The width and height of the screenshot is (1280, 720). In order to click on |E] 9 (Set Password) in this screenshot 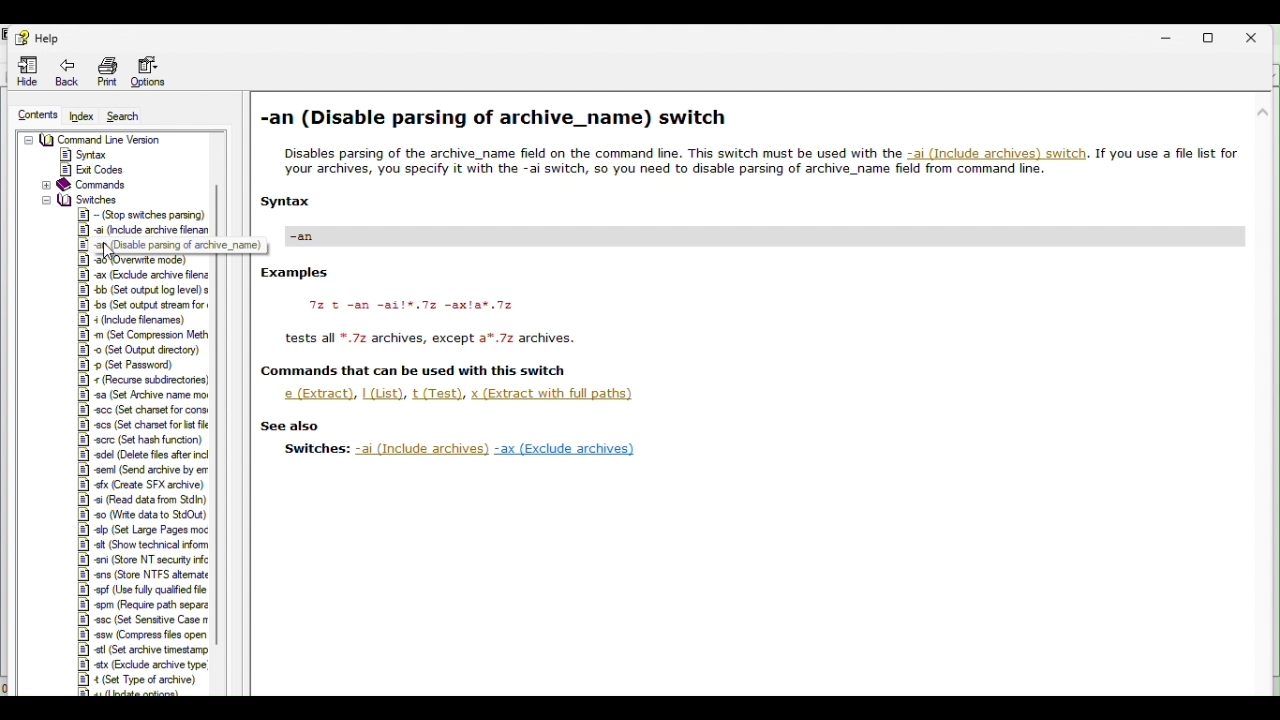, I will do `click(133, 365)`.